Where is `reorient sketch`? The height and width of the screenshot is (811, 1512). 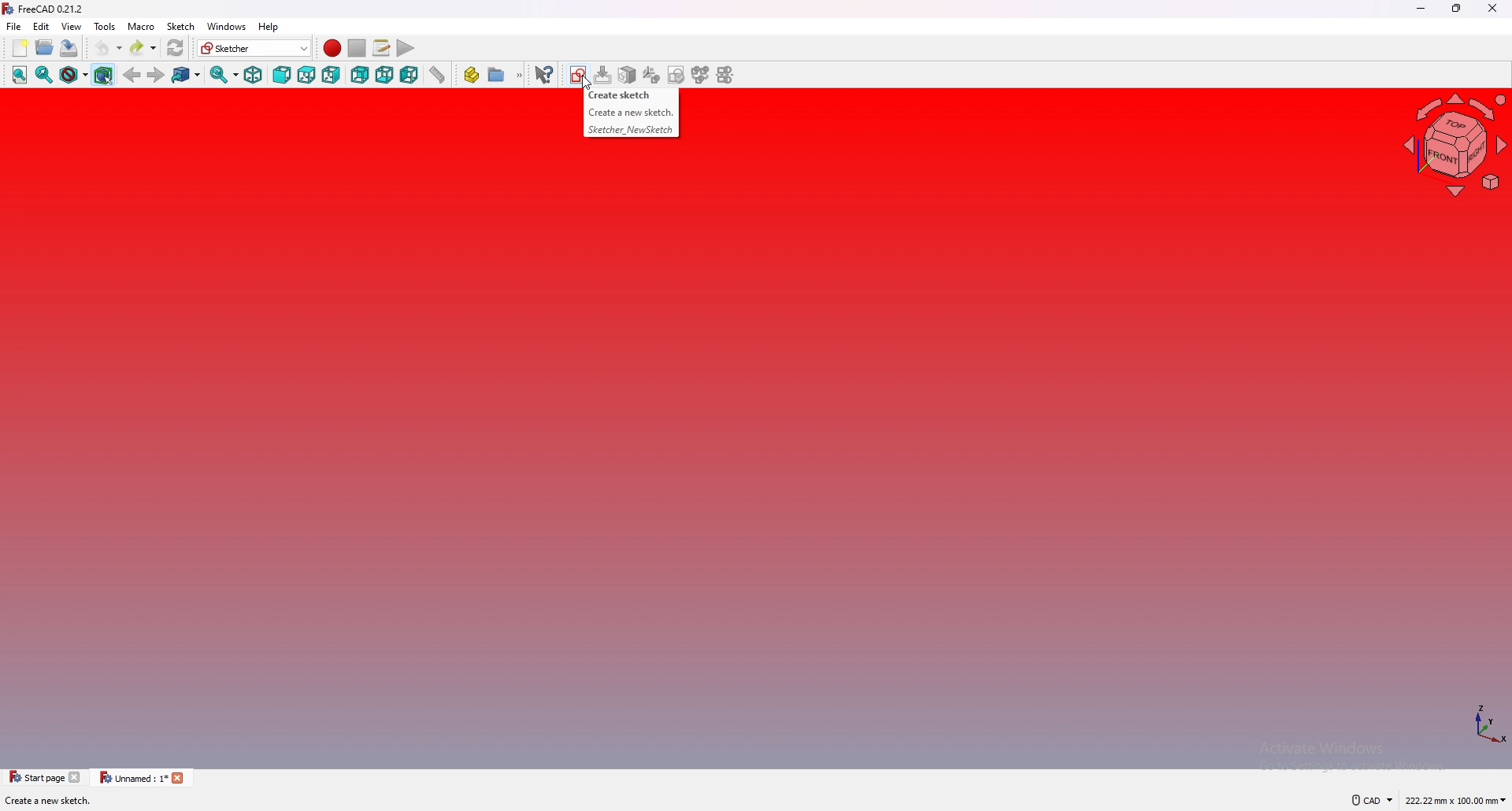 reorient sketch is located at coordinates (652, 74).